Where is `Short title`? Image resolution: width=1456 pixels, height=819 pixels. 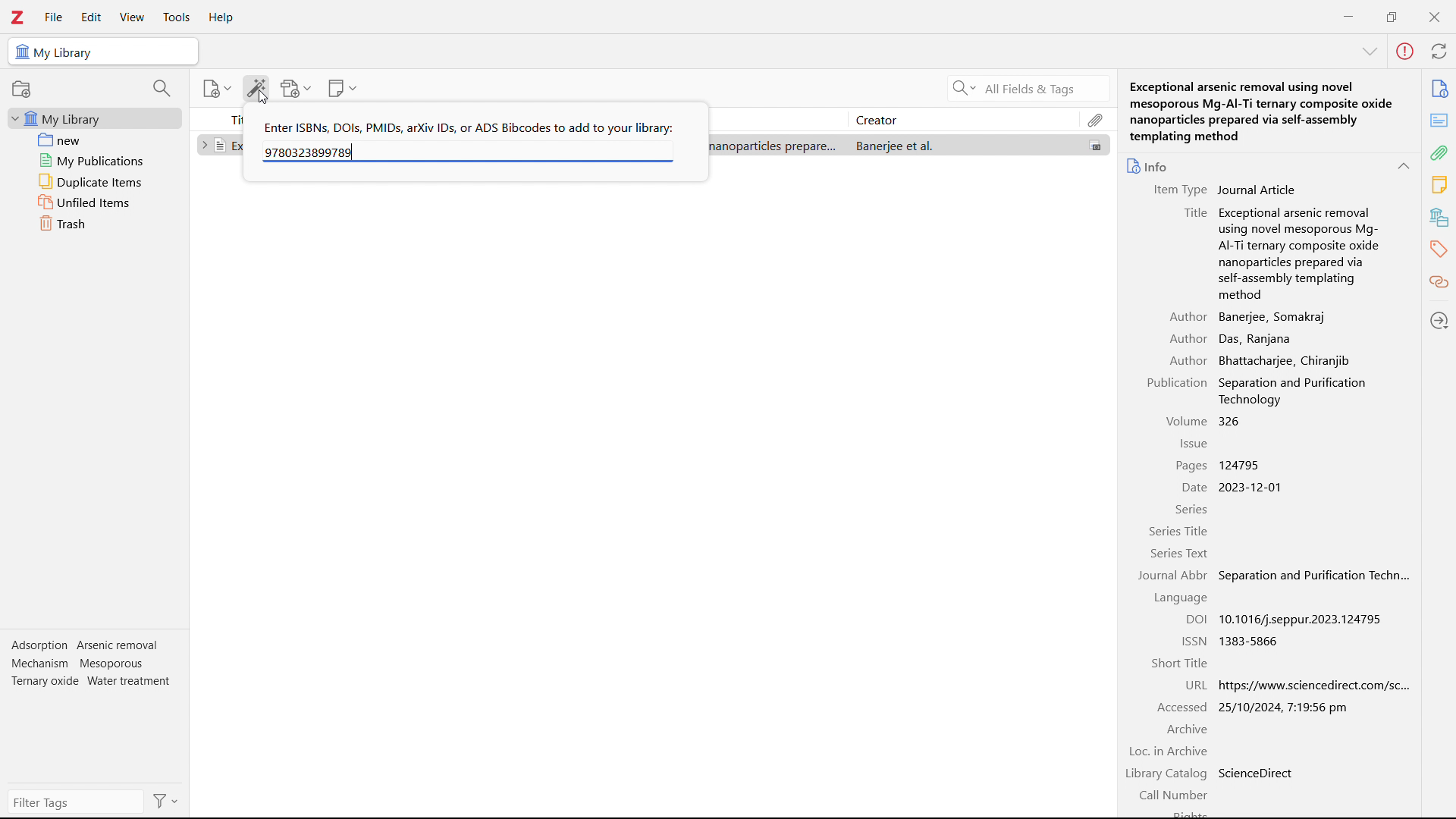 Short title is located at coordinates (1178, 663).